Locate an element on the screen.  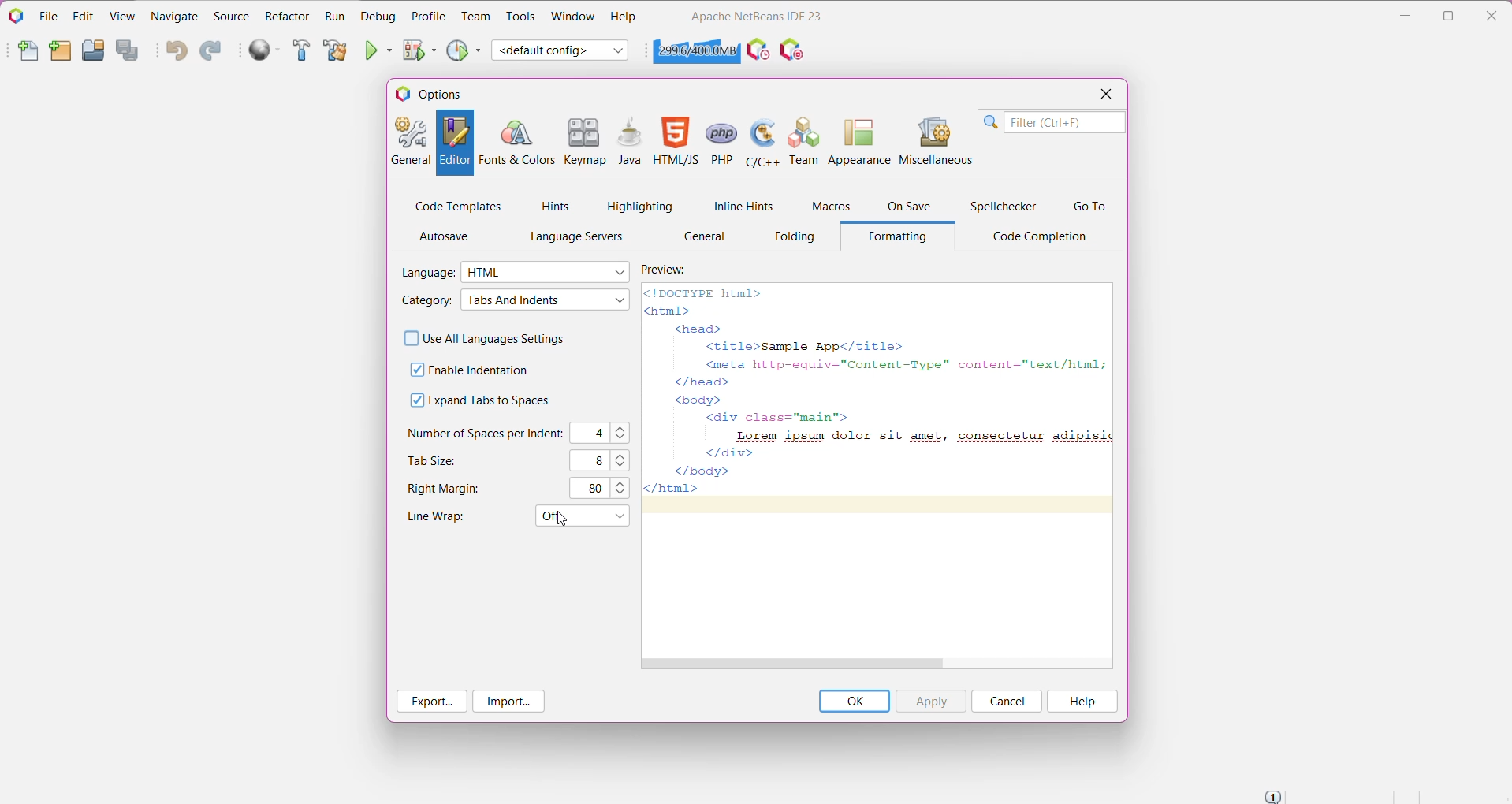
Navigate is located at coordinates (177, 15).